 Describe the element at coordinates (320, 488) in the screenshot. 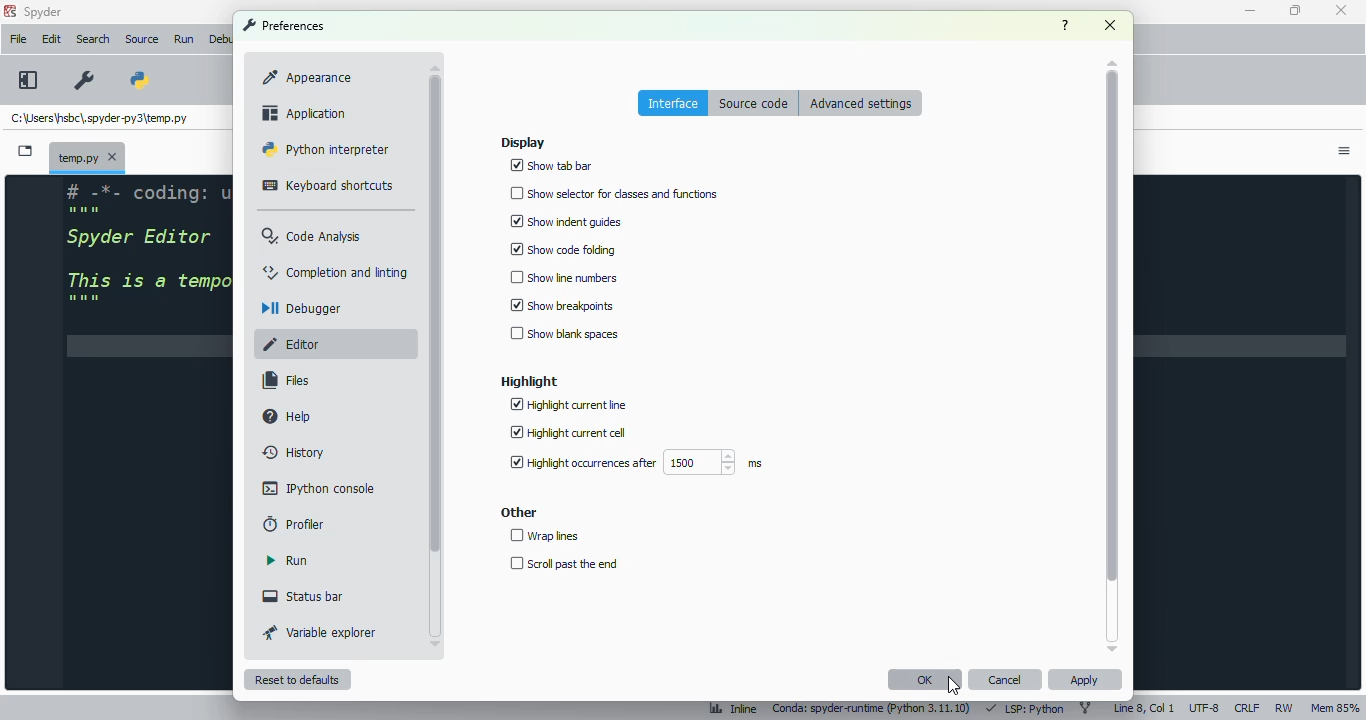

I see `IPython console` at that location.